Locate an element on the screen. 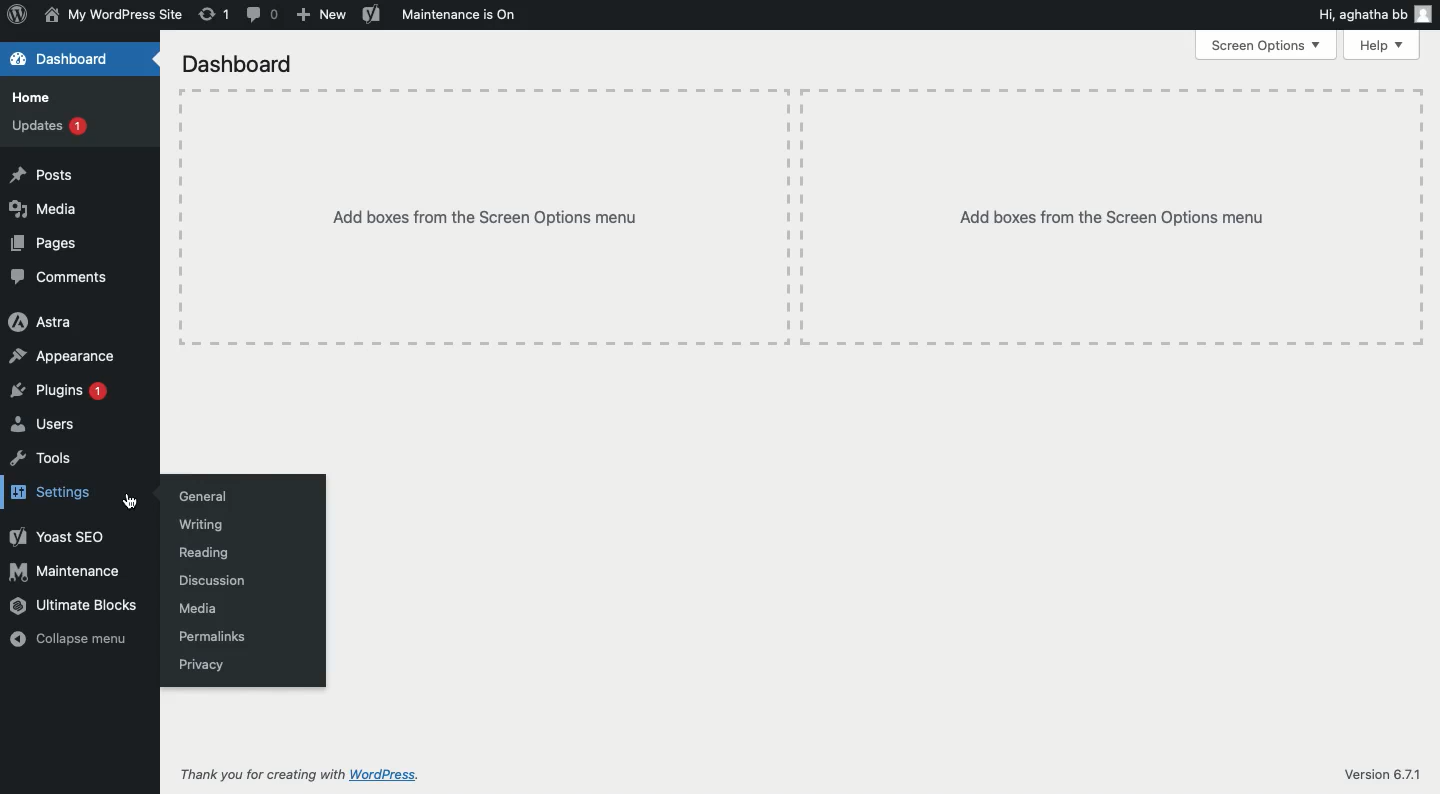 The width and height of the screenshot is (1440, 794). Permalinks is located at coordinates (215, 639).